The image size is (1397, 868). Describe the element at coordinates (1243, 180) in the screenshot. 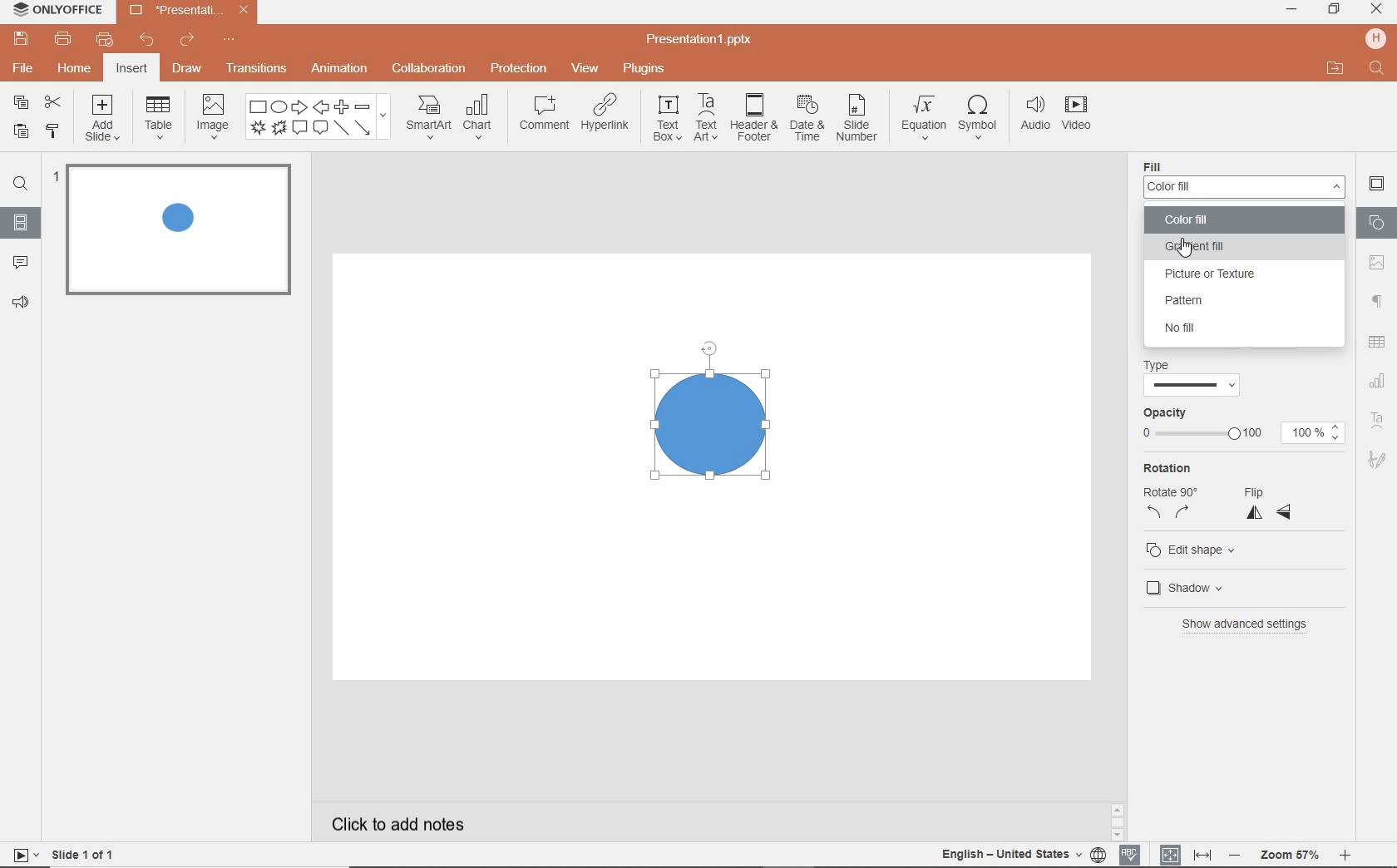

I see `Fill` at that location.